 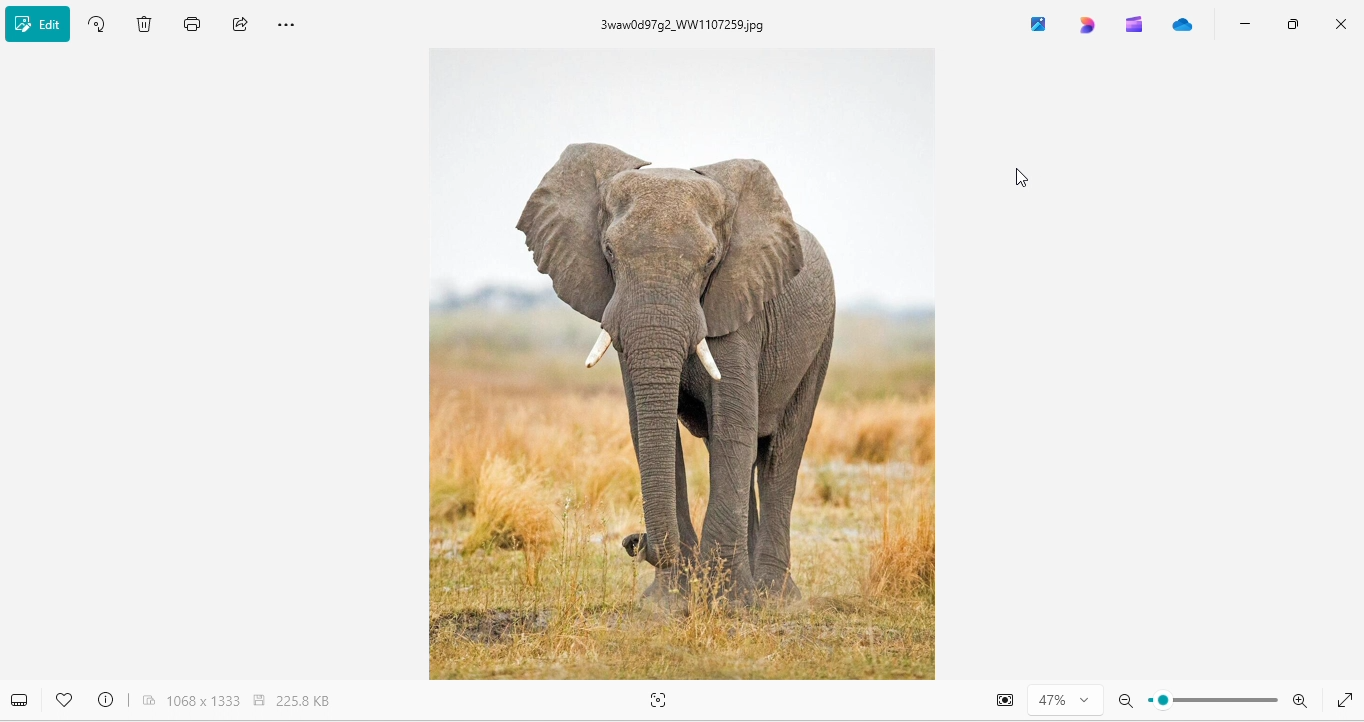 What do you see at coordinates (292, 23) in the screenshot?
I see `option` at bounding box center [292, 23].